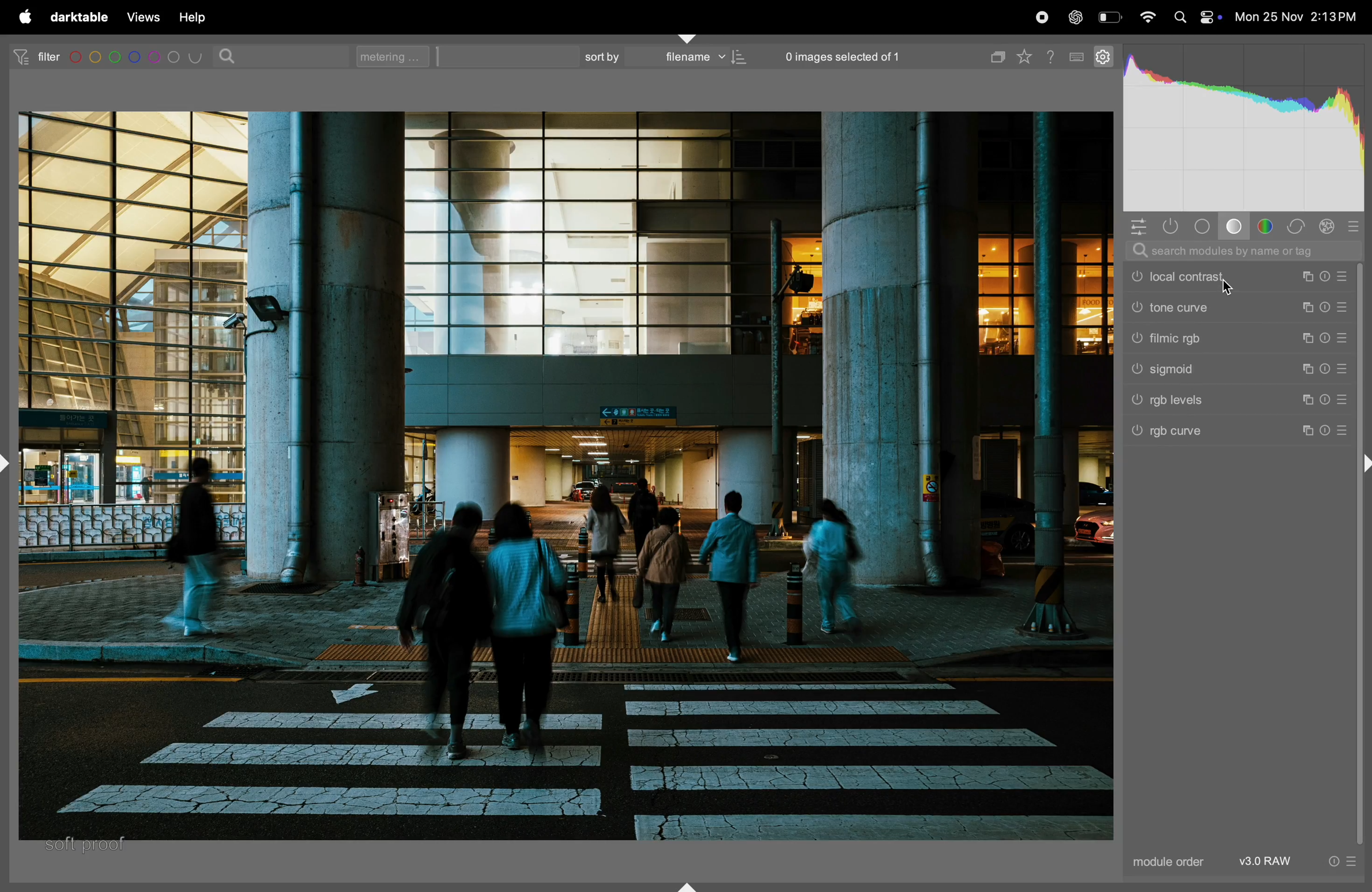  What do you see at coordinates (1326, 369) in the screenshot?
I see `reset` at bounding box center [1326, 369].